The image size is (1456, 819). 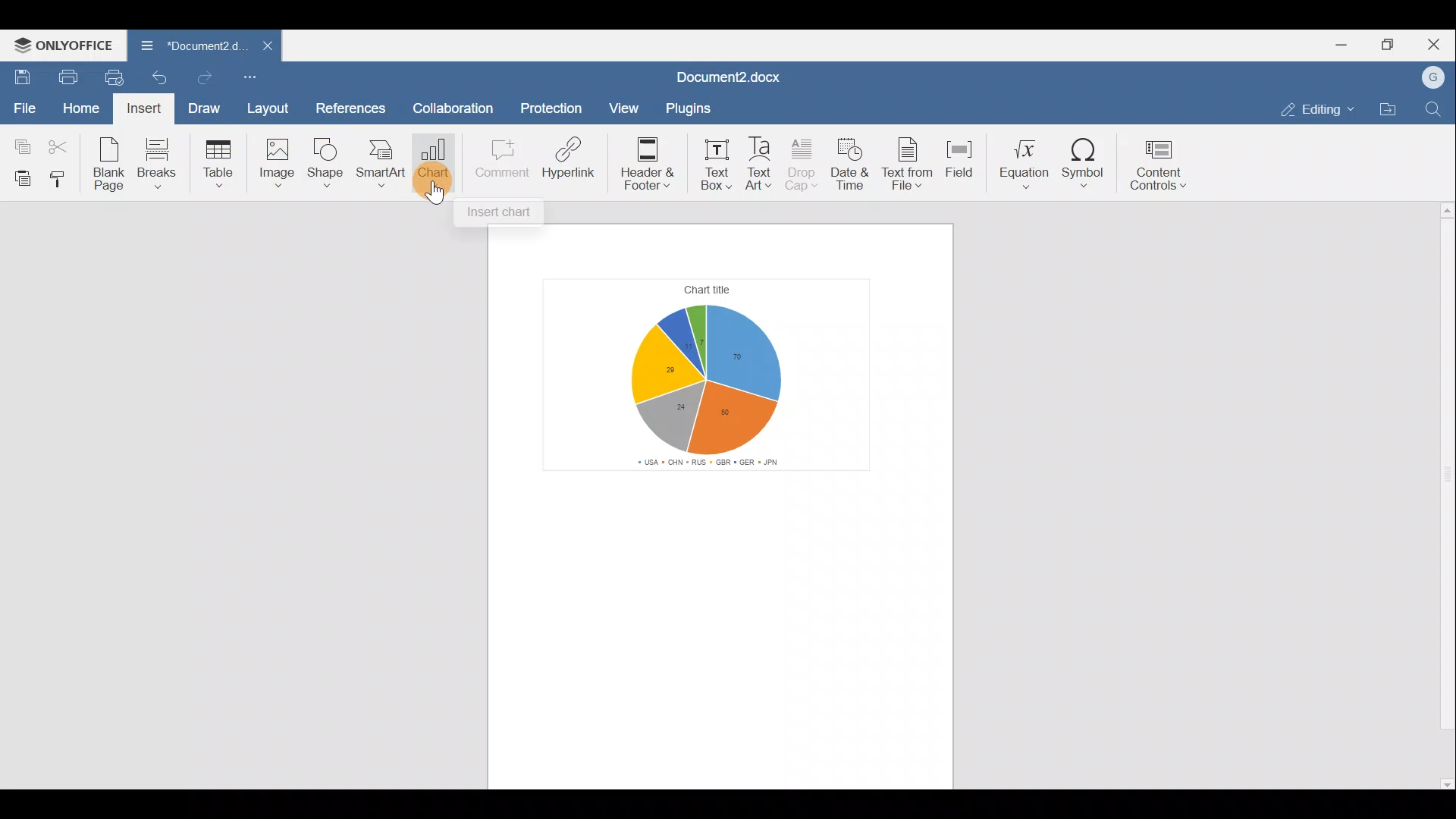 What do you see at coordinates (1022, 163) in the screenshot?
I see `Equation` at bounding box center [1022, 163].